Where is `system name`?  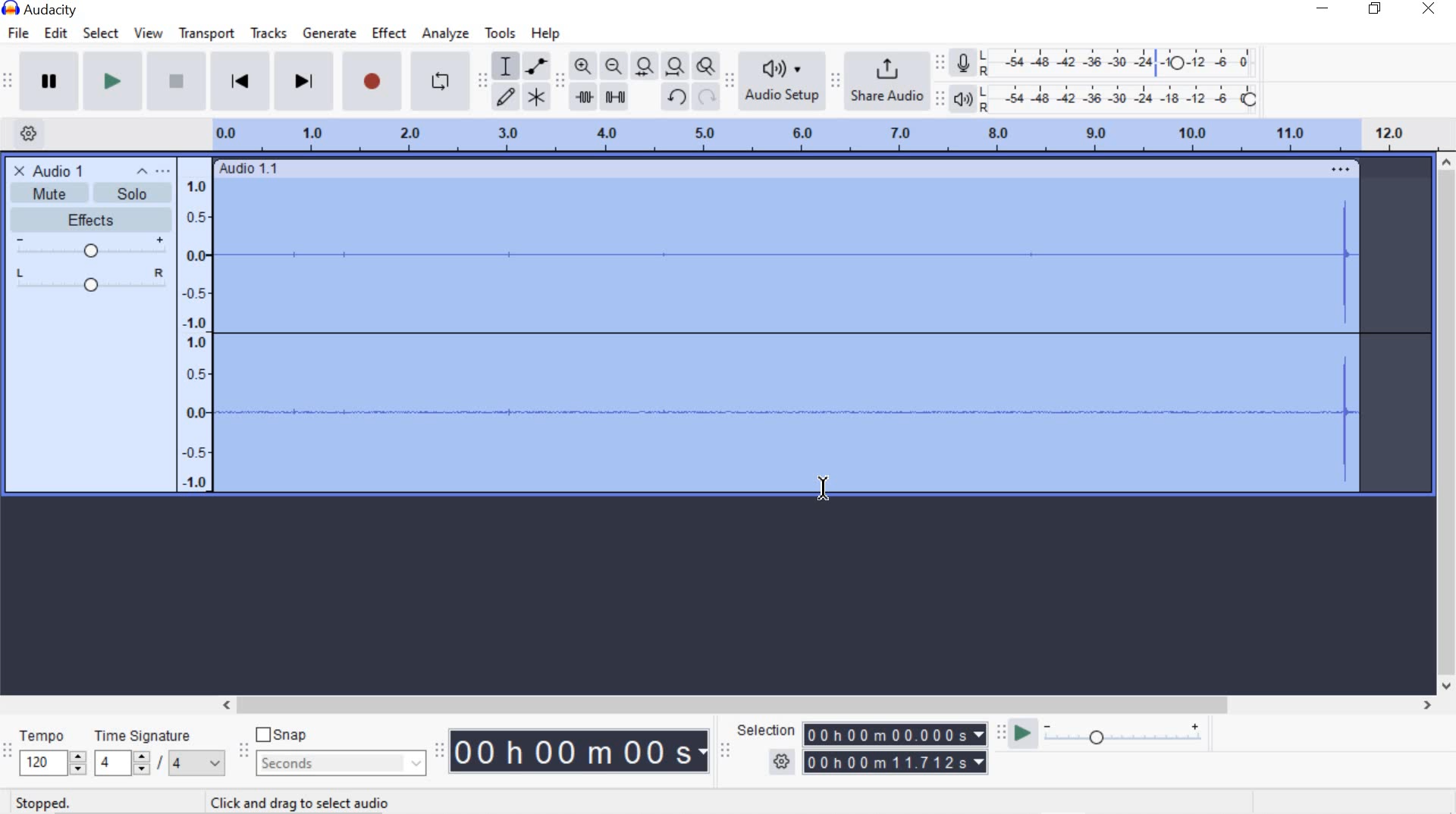 system name is located at coordinates (39, 10).